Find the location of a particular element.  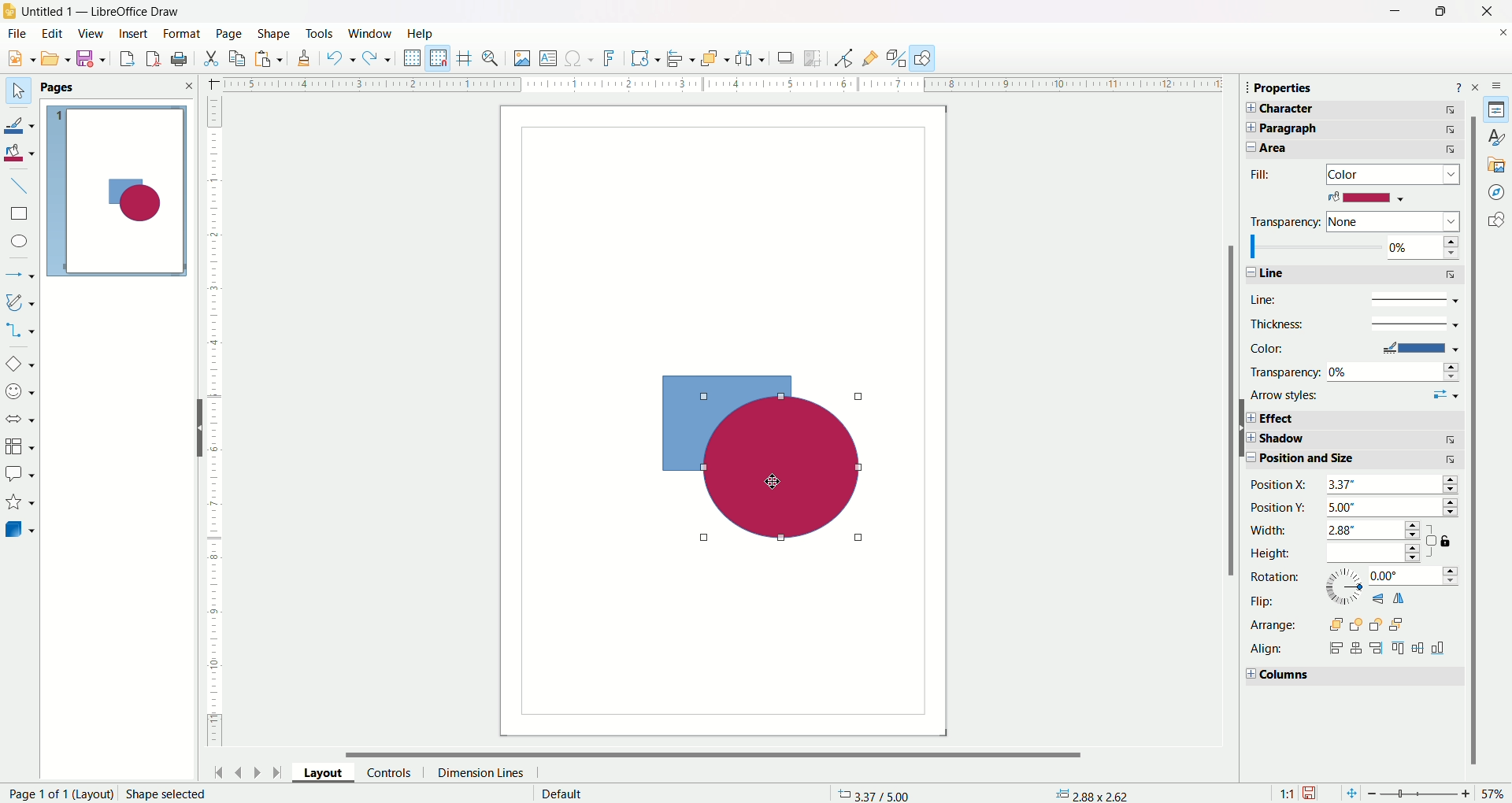

solid arrows is located at coordinates (20, 420).